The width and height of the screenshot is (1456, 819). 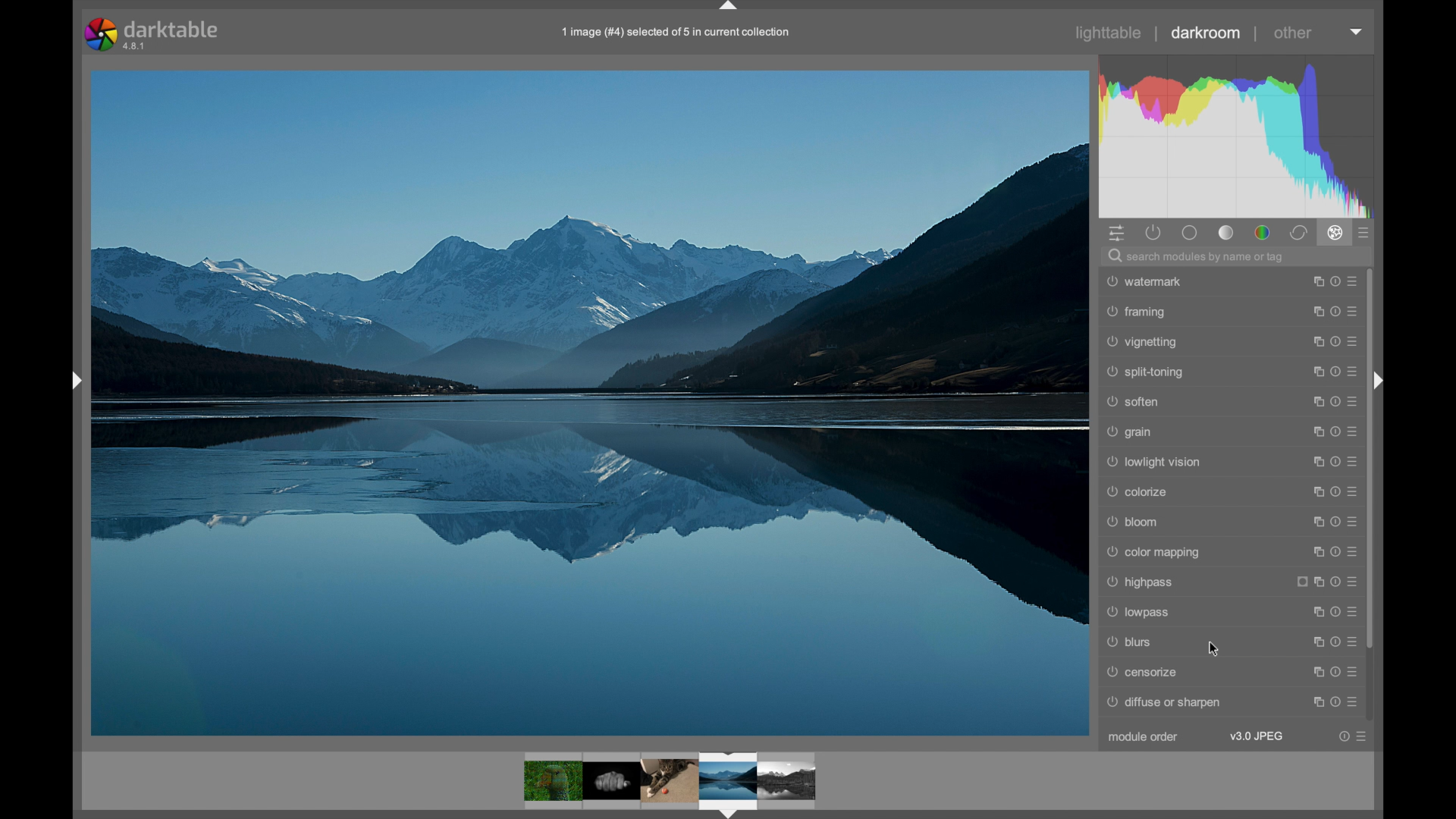 What do you see at coordinates (1207, 33) in the screenshot?
I see `darkroom` at bounding box center [1207, 33].